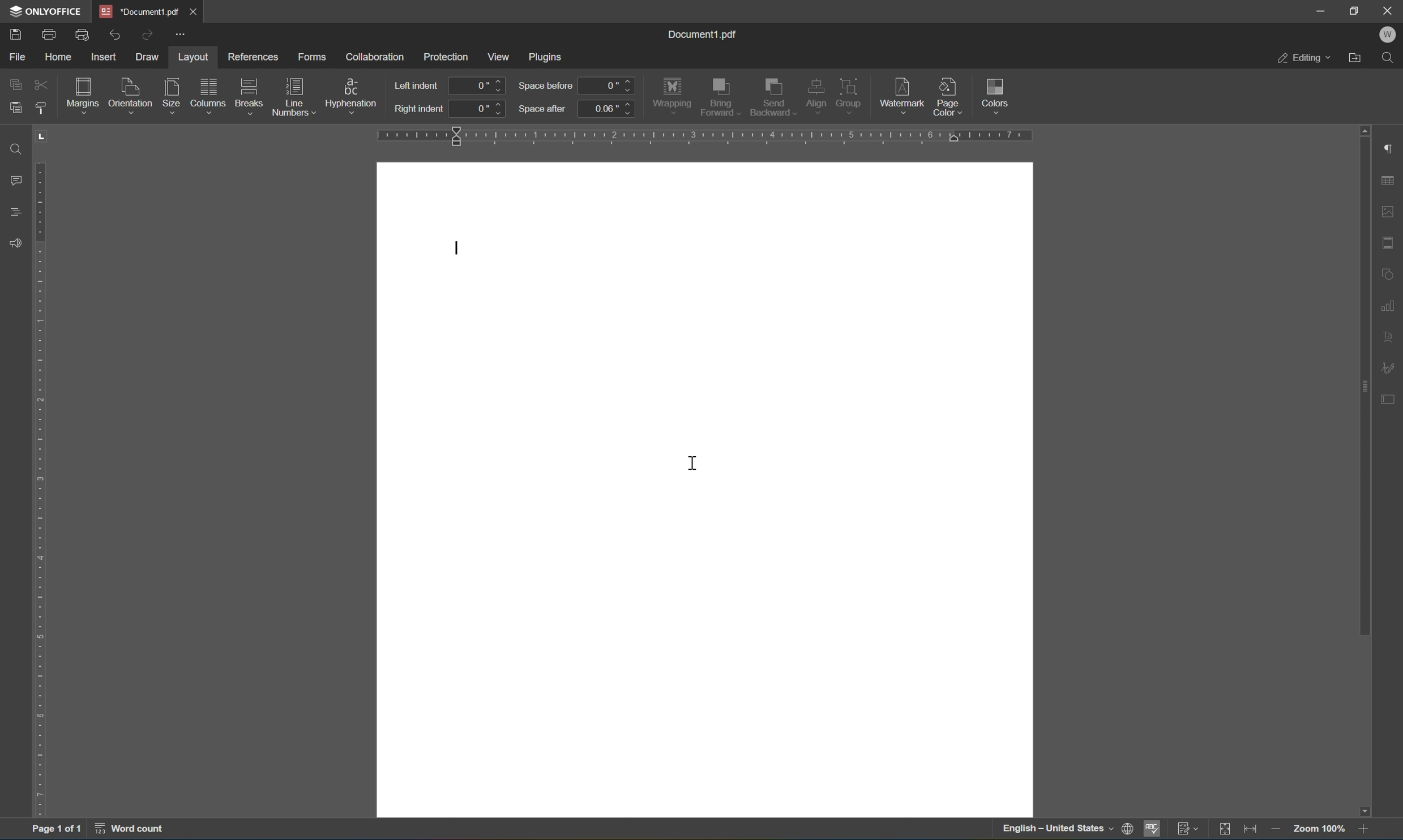 The image size is (1403, 840). I want to click on watermark, so click(901, 92).